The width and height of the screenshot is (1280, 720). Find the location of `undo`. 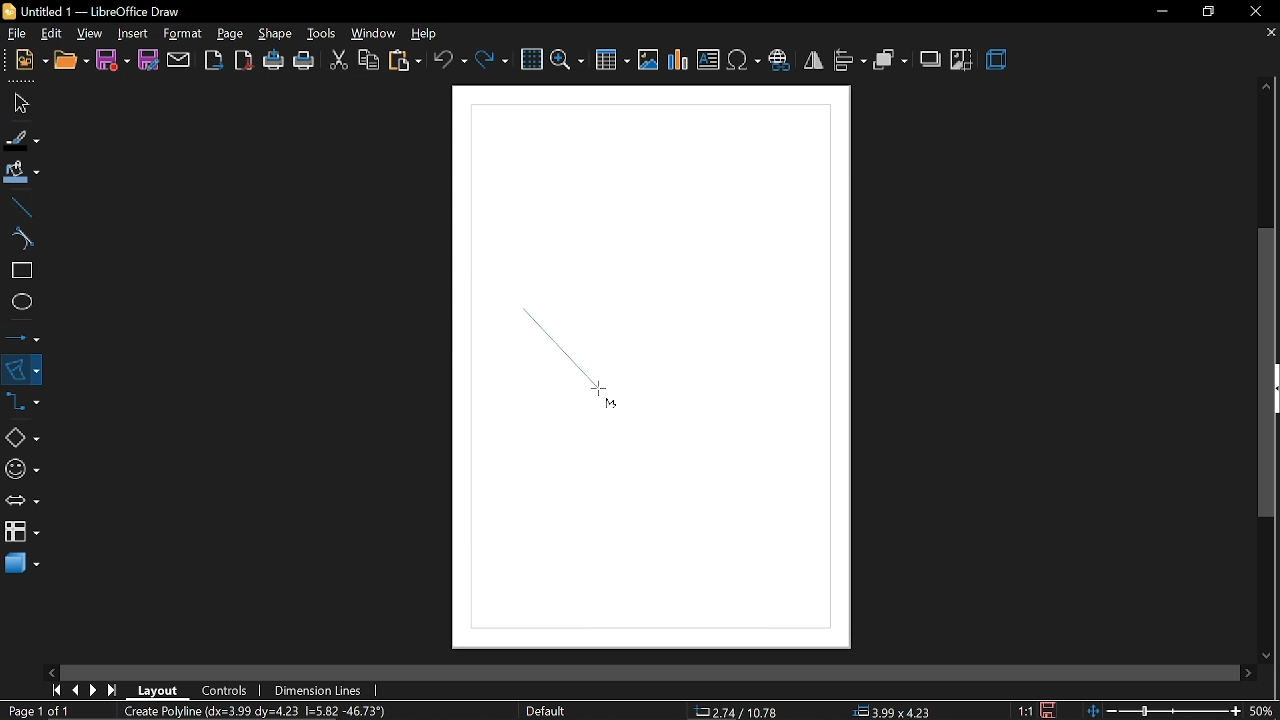

undo is located at coordinates (451, 59).